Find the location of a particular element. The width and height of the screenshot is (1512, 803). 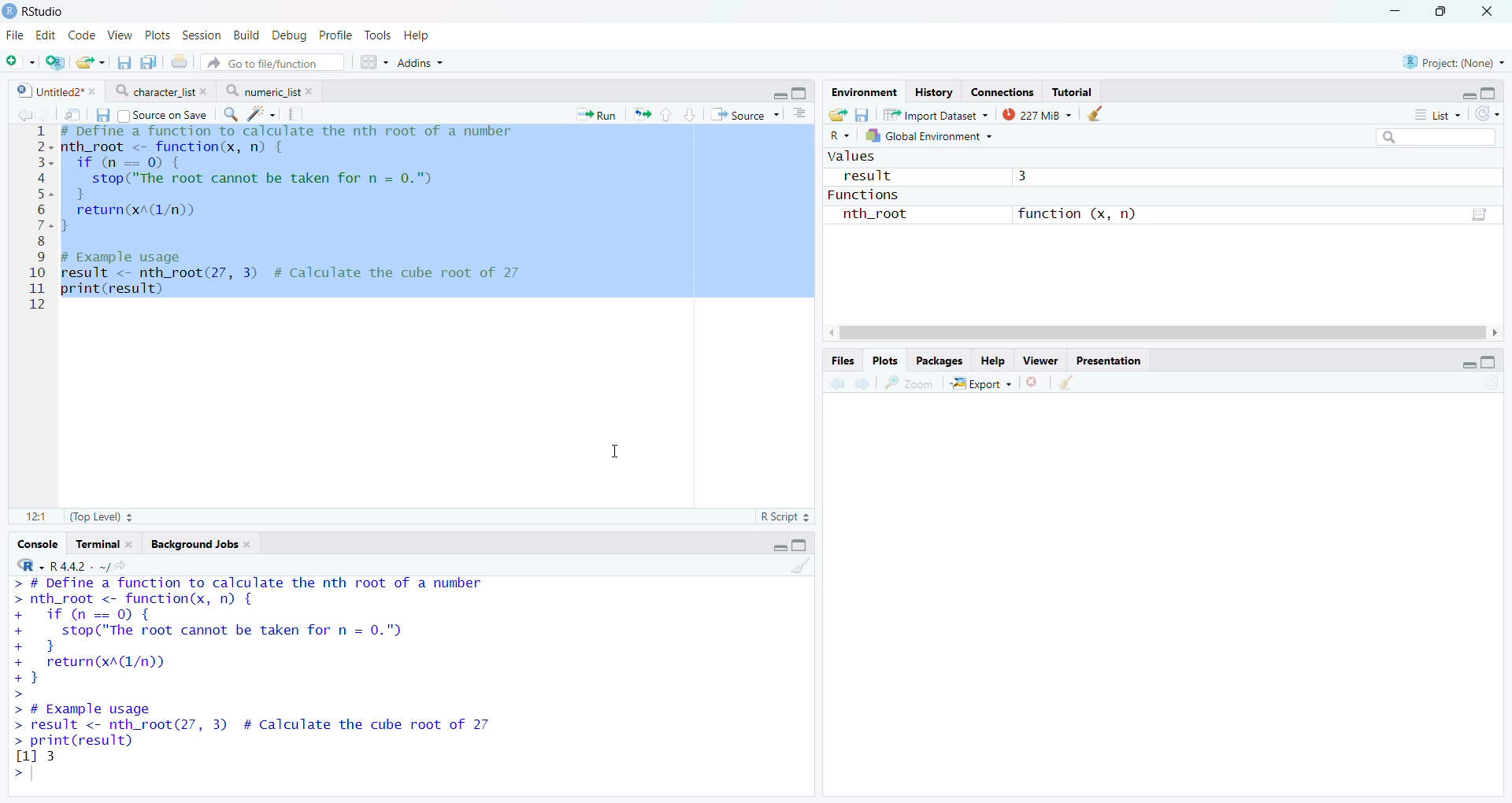

Terminal is located at coordinates (105, 542).